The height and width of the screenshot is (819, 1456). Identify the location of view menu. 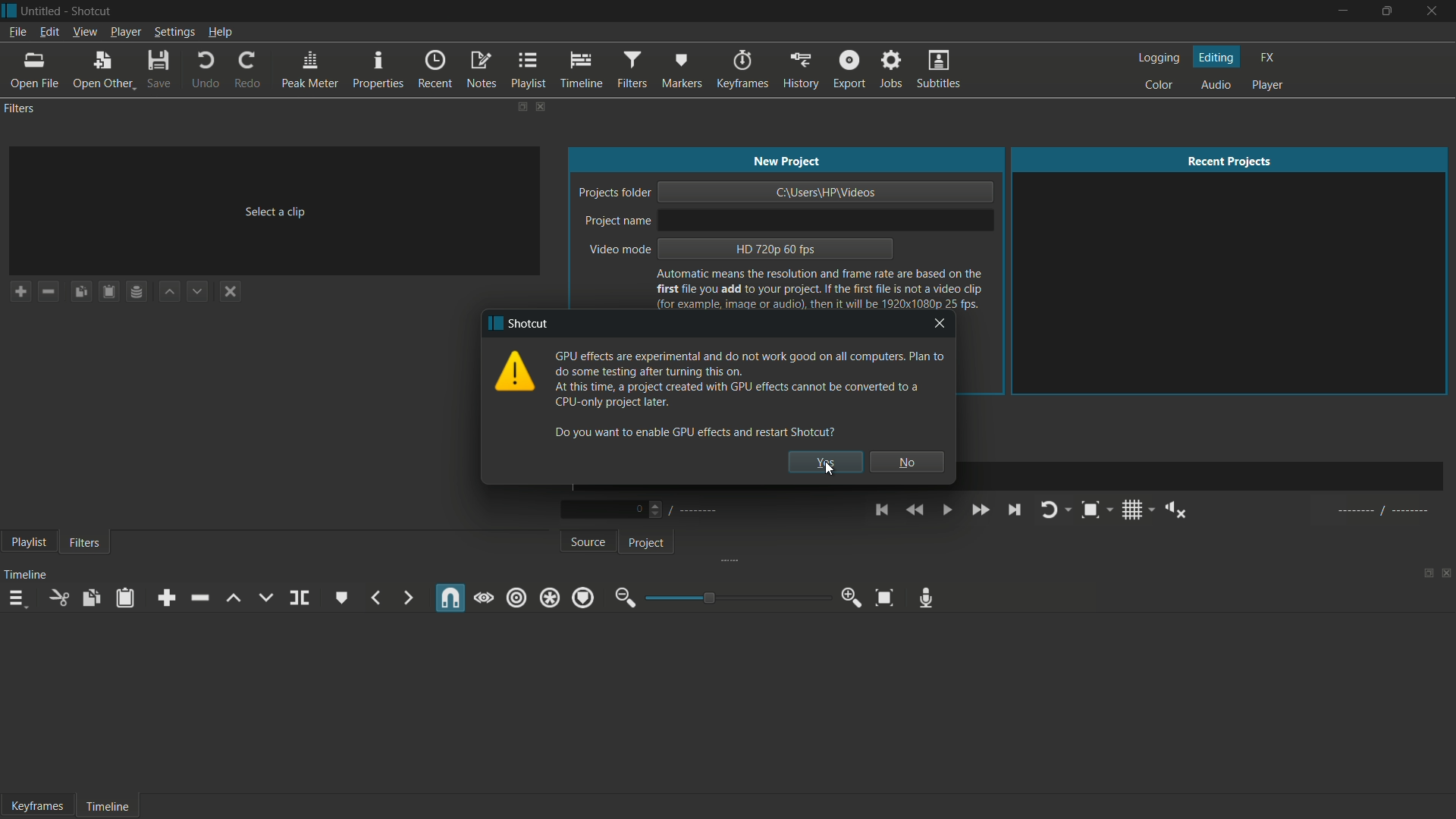
(84, 33).